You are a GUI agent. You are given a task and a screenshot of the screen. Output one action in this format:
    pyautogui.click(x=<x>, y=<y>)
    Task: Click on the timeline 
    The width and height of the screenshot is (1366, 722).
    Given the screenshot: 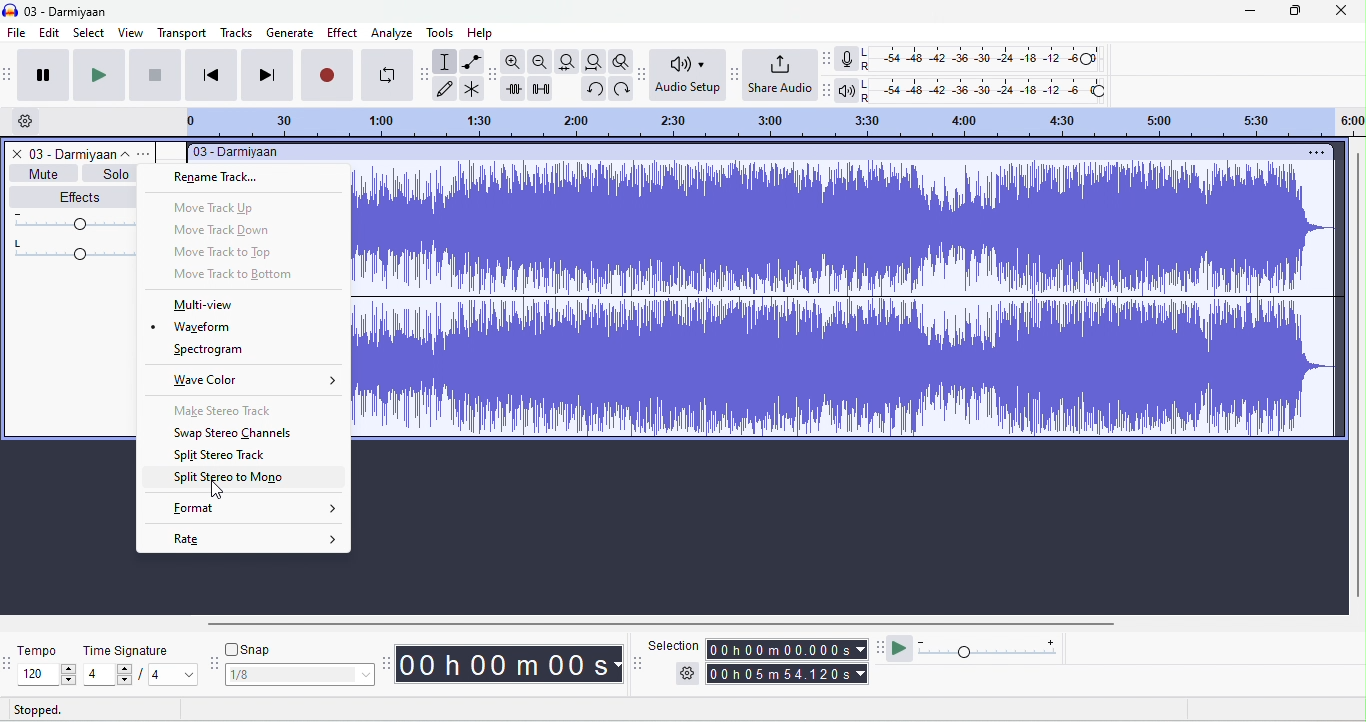 What is the action you would take?
    pyautogui.click(x=773, y=123)
    